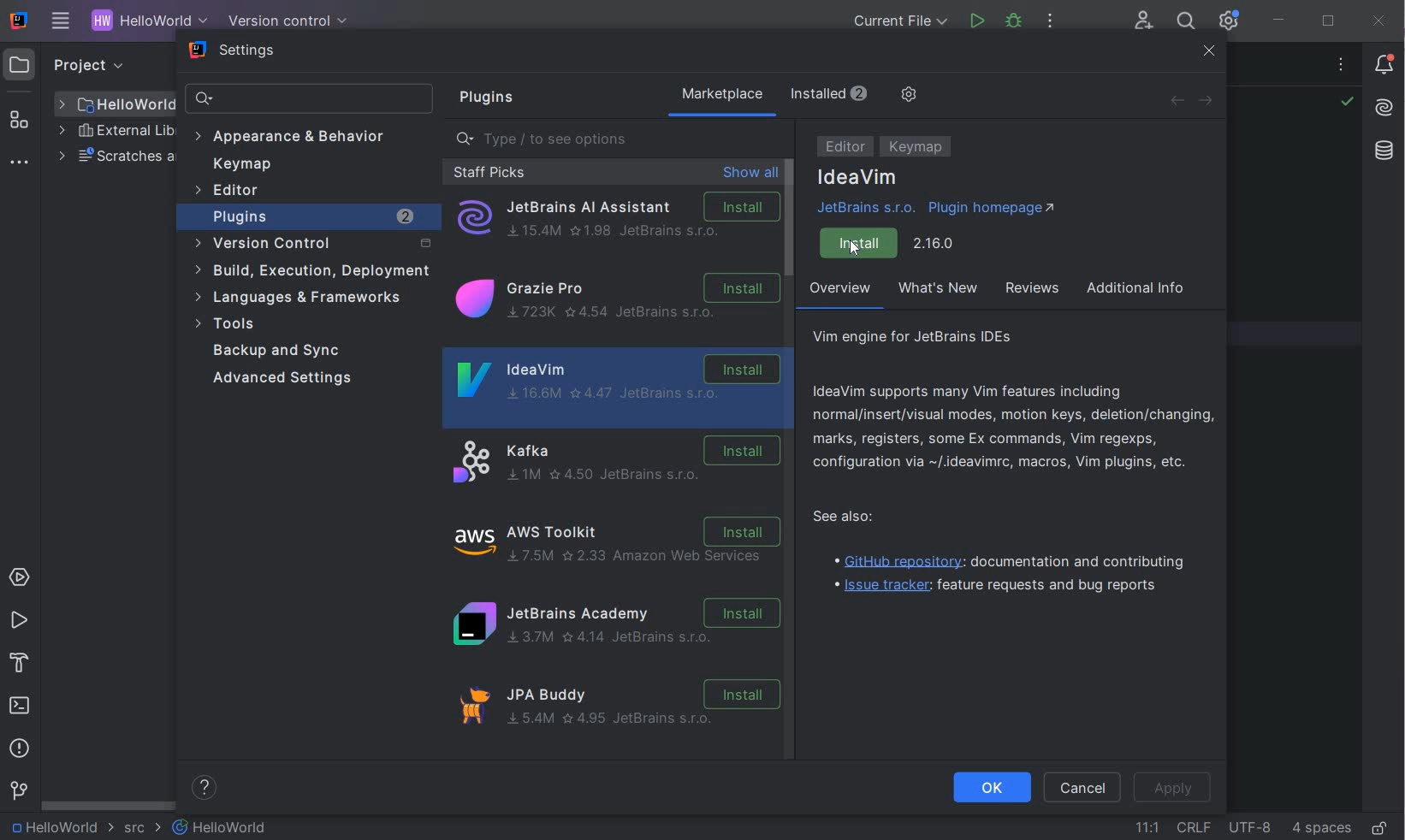  I want to click on RUN, so click(19, 621).